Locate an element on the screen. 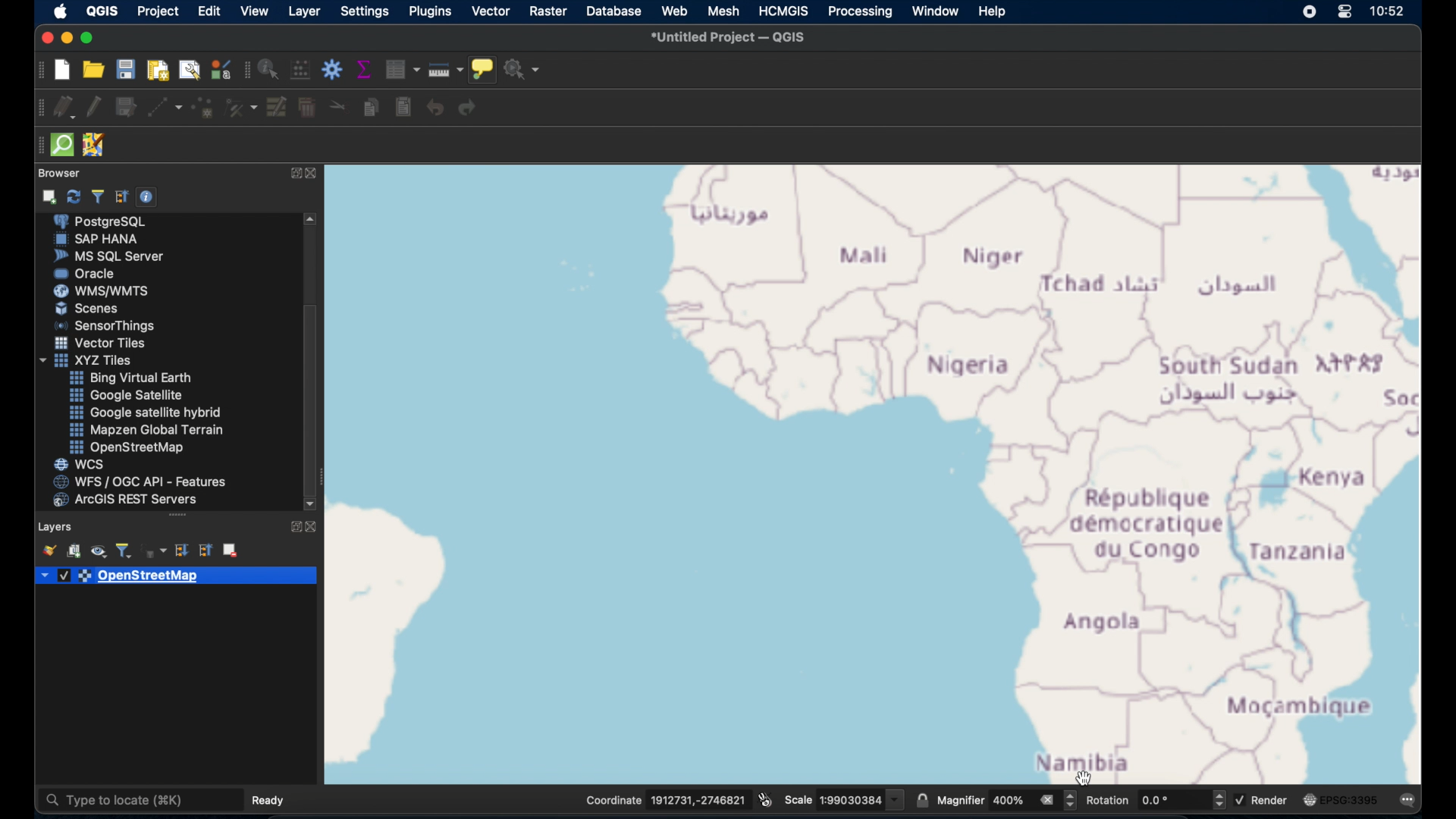 The width and height of the screenshot is (1456, 819). edit is located at coordinates (209, 11).